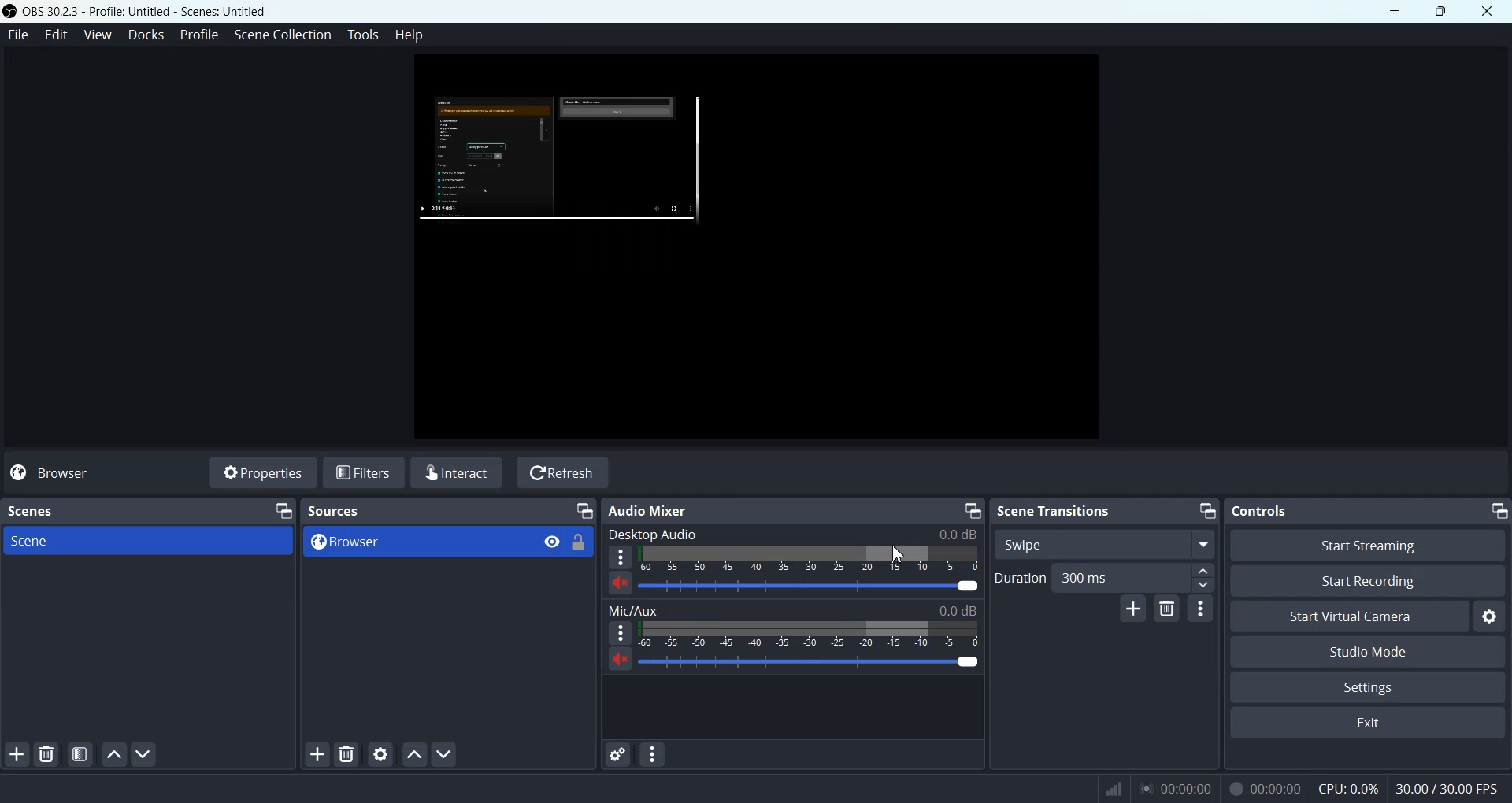  Describe the element at coordinates (261, 472) in the screenshot. I see `Properties` at that location.